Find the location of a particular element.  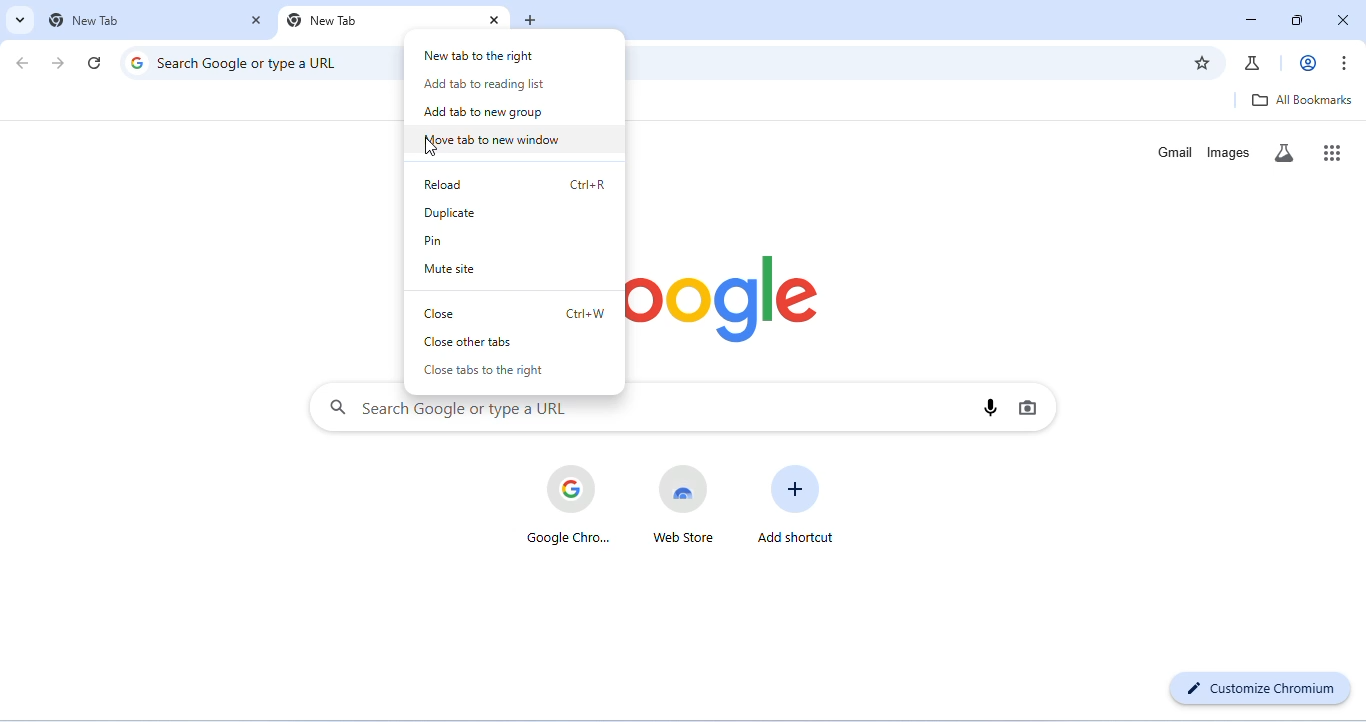

google logo is located at coordinates (727, 299).